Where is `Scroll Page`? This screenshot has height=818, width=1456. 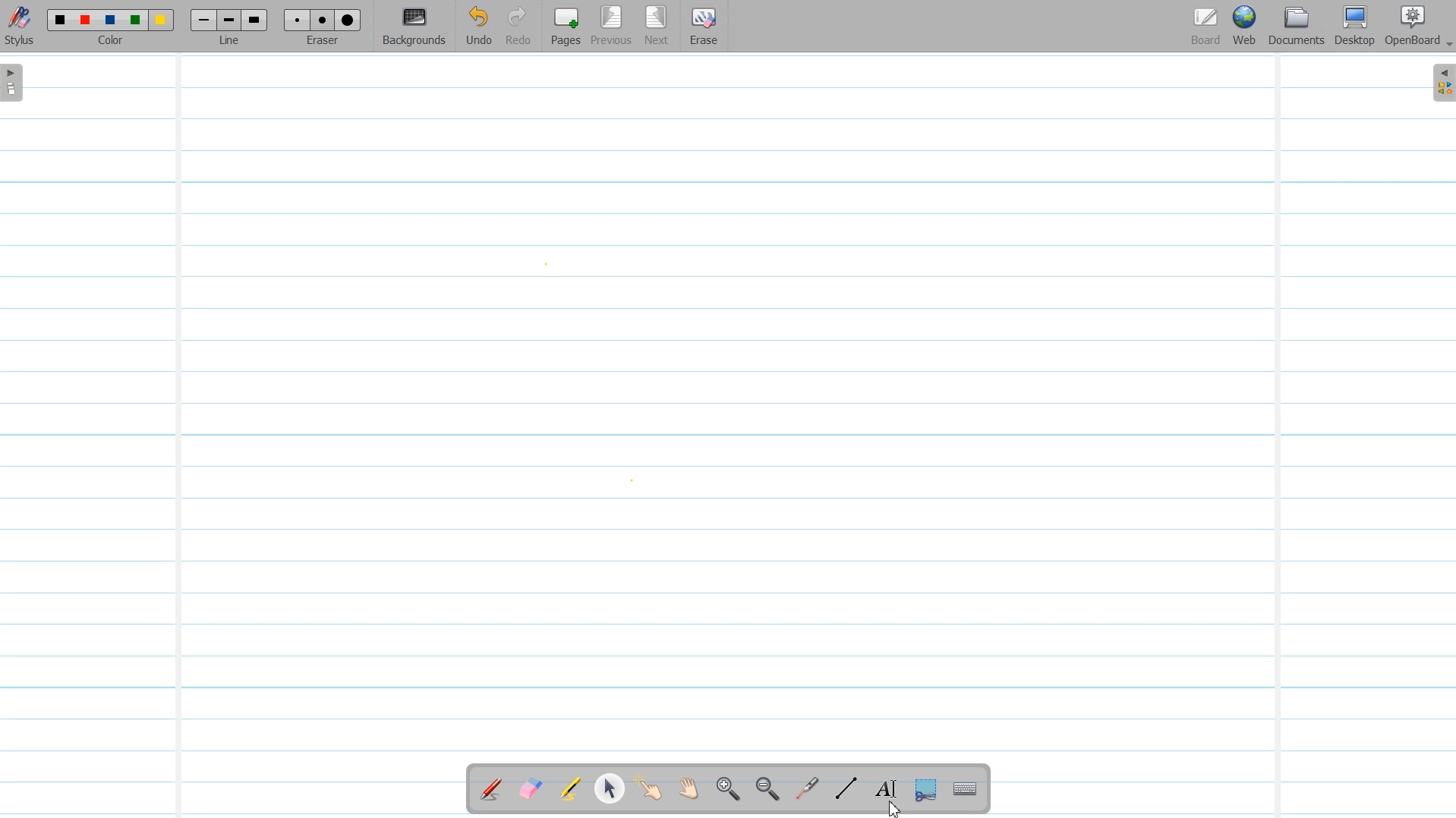
Scroll Page is located at coordinates (689, 790).